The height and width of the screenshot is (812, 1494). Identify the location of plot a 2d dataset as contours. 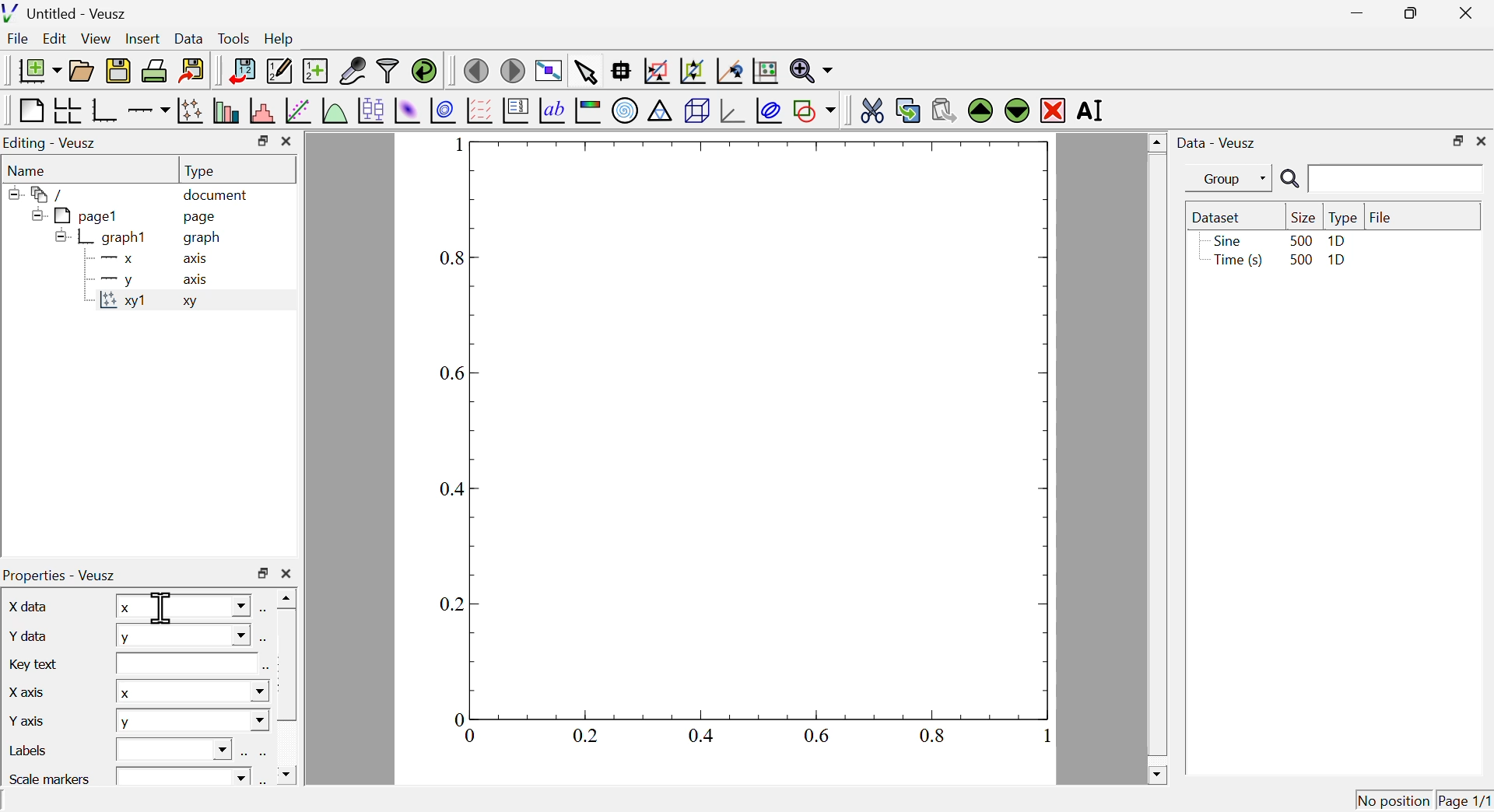
(443, 110).